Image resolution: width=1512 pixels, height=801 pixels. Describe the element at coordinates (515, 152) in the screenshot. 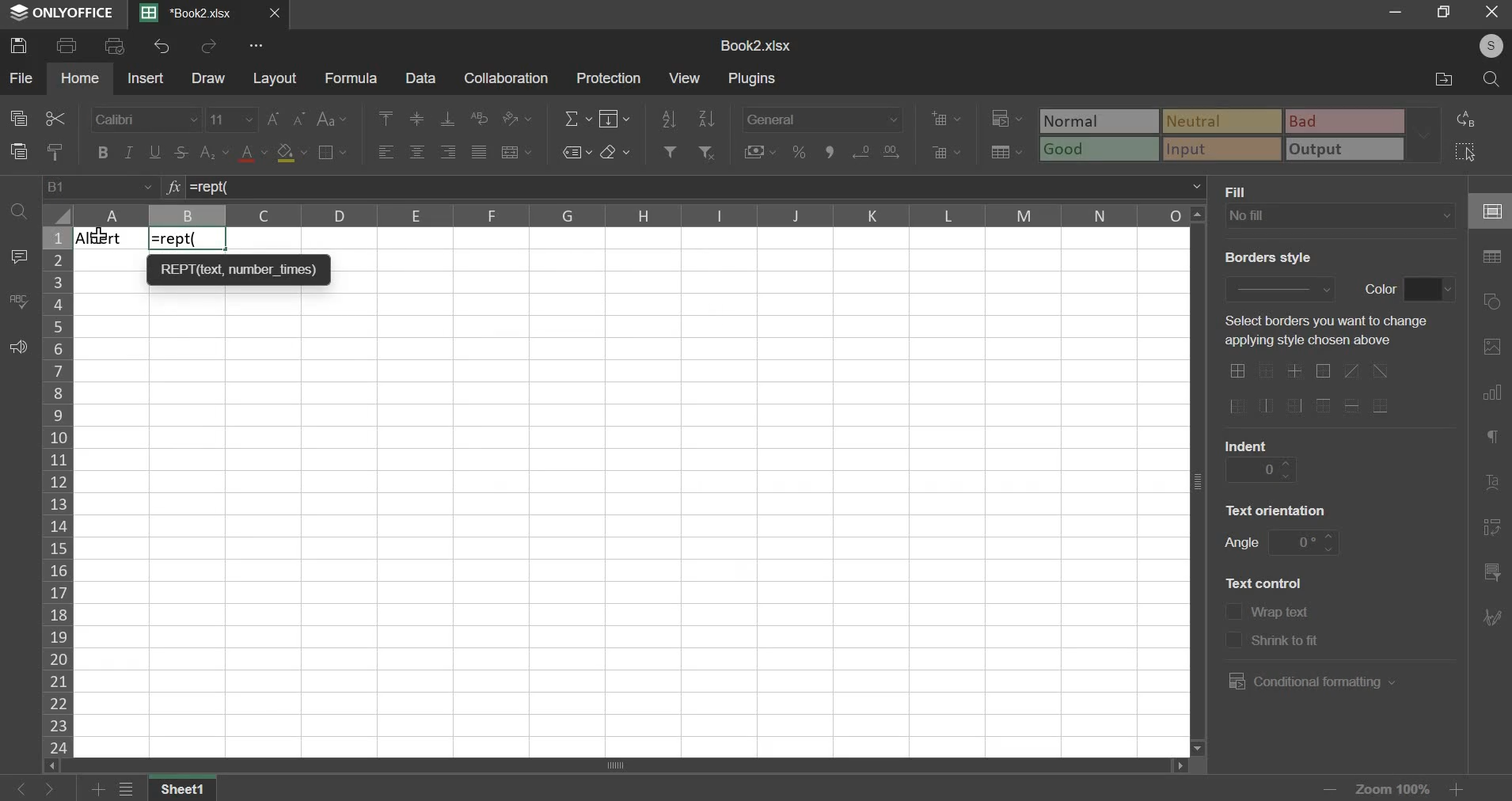

I see `merge & center` at that location.